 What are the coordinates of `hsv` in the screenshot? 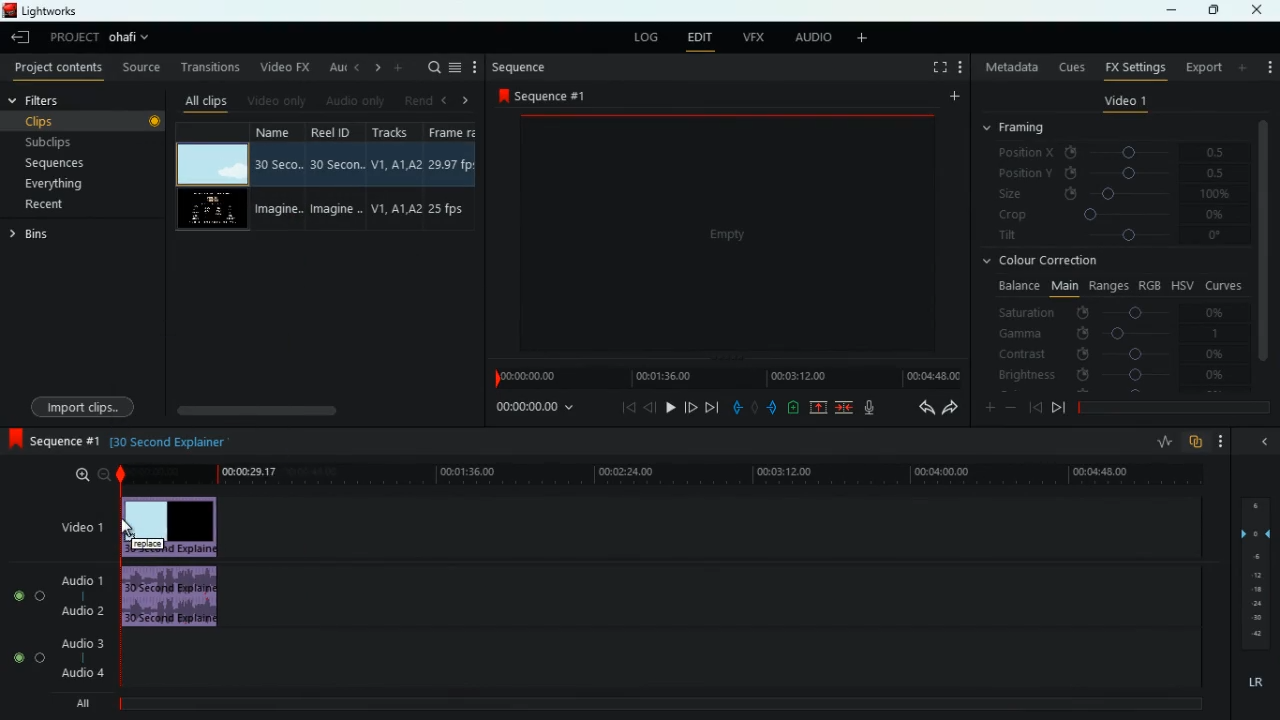 It's located at (1182, 285).